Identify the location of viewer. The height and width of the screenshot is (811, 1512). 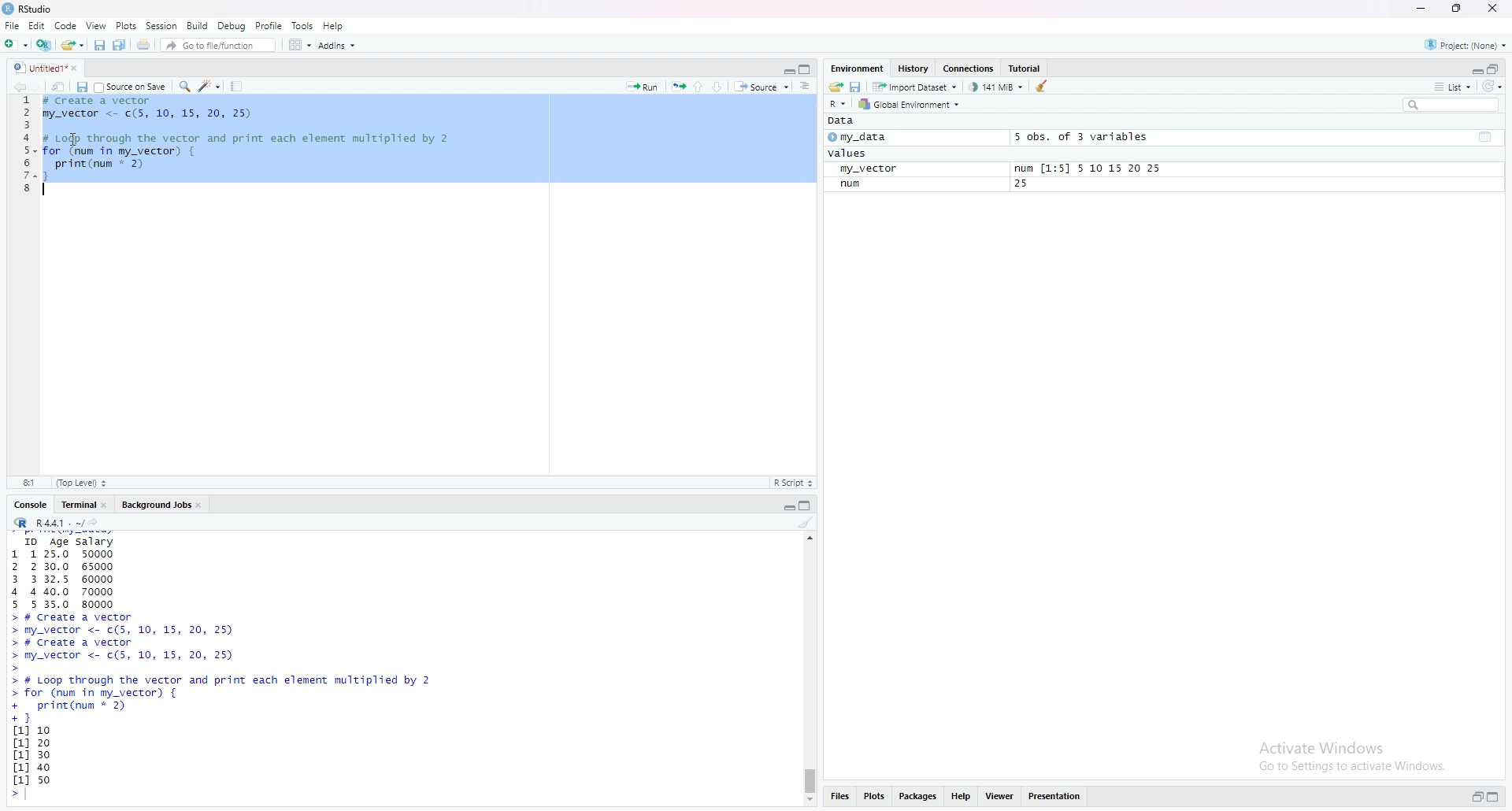
(1001, 794).